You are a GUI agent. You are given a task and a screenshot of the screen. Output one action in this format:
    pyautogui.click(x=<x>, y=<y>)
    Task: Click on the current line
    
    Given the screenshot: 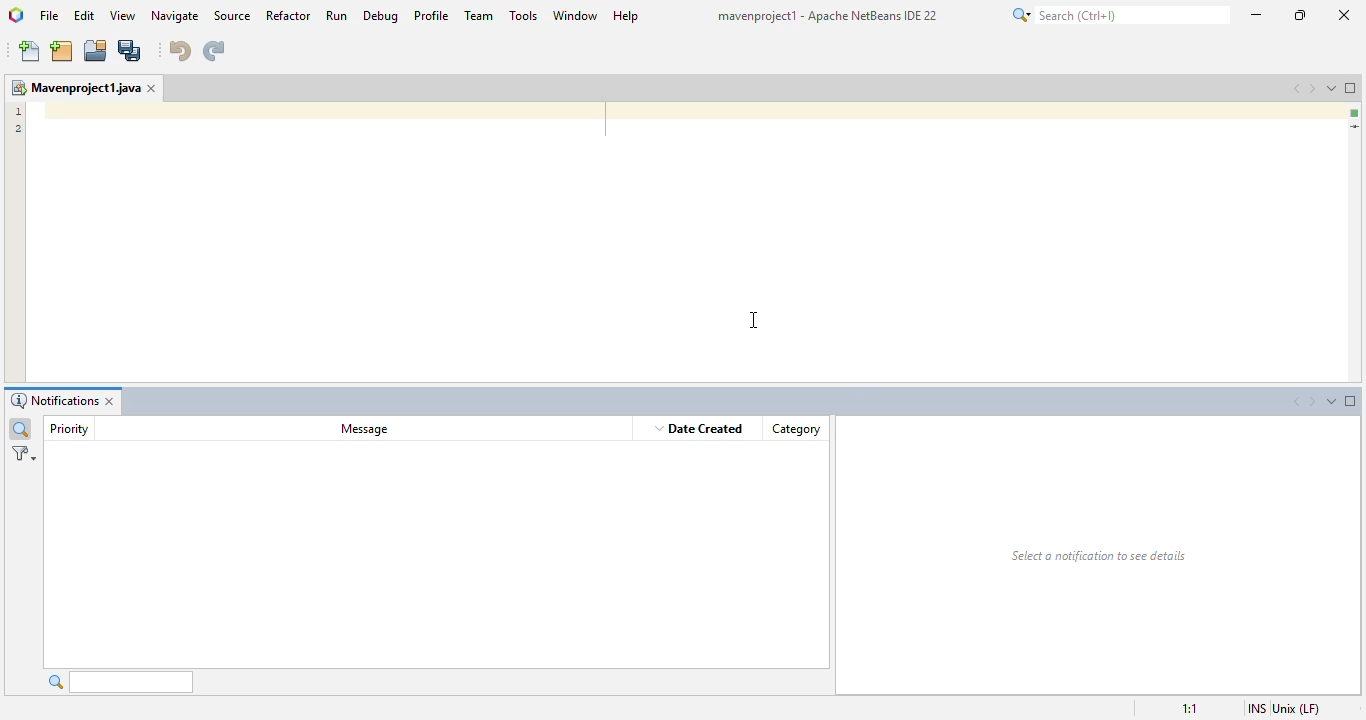 What is the action you would take?
    pyautogui.click(x=1354, y=127)
    